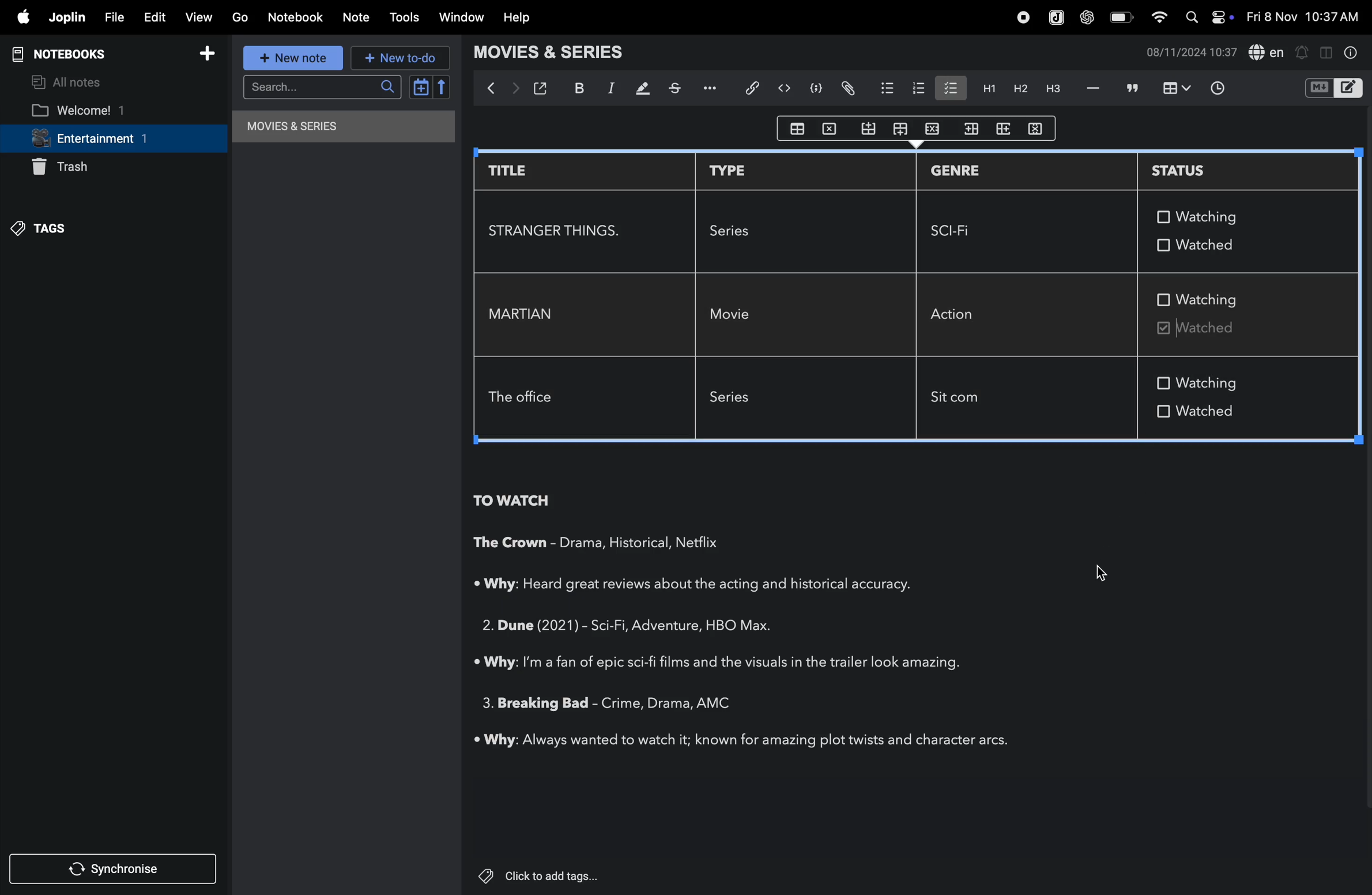 The height and width of the screenshot is (895, 1372). I want to click on toggle editors, so click(1335, 87).